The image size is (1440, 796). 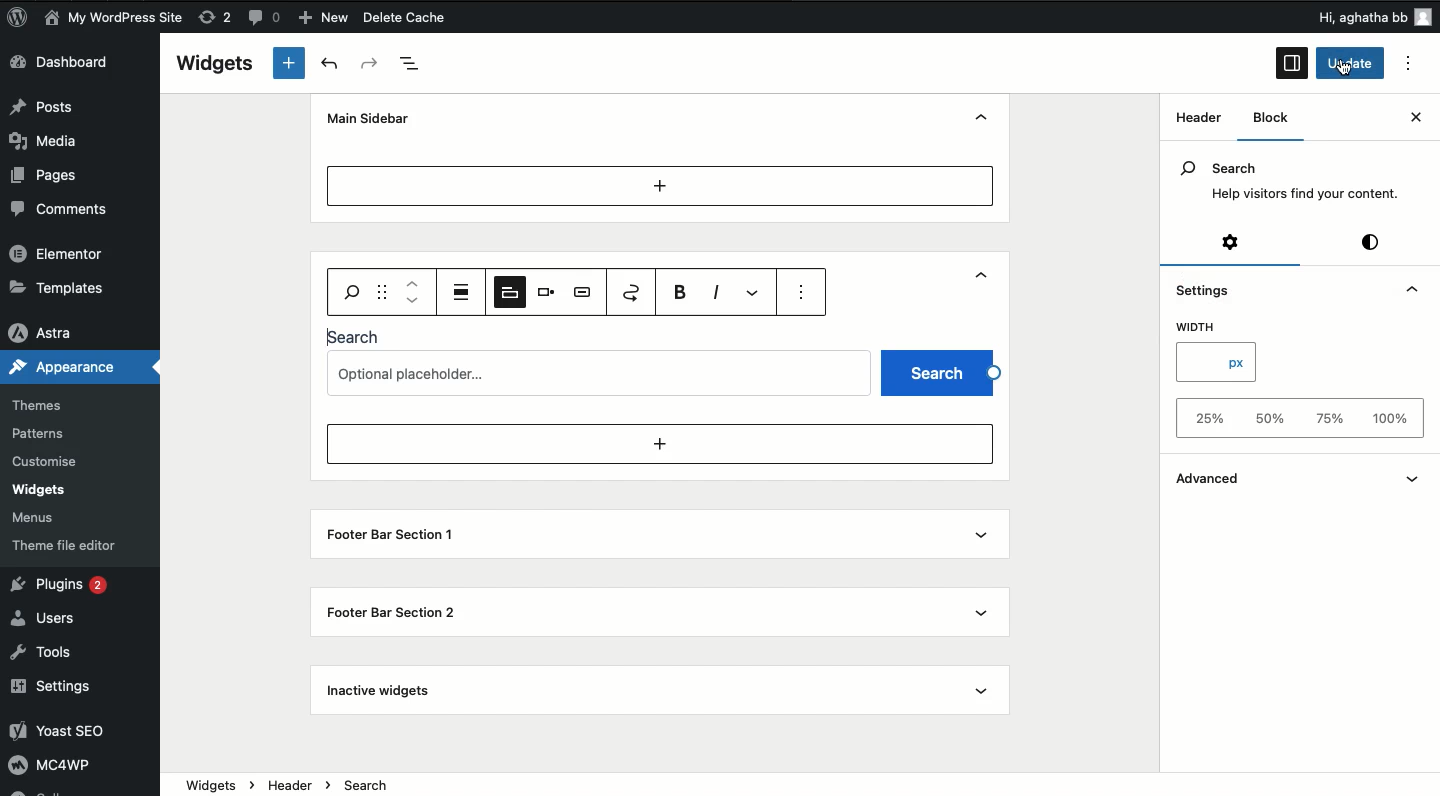 I want to click on Main sidebar, so click(x=373, y=118).